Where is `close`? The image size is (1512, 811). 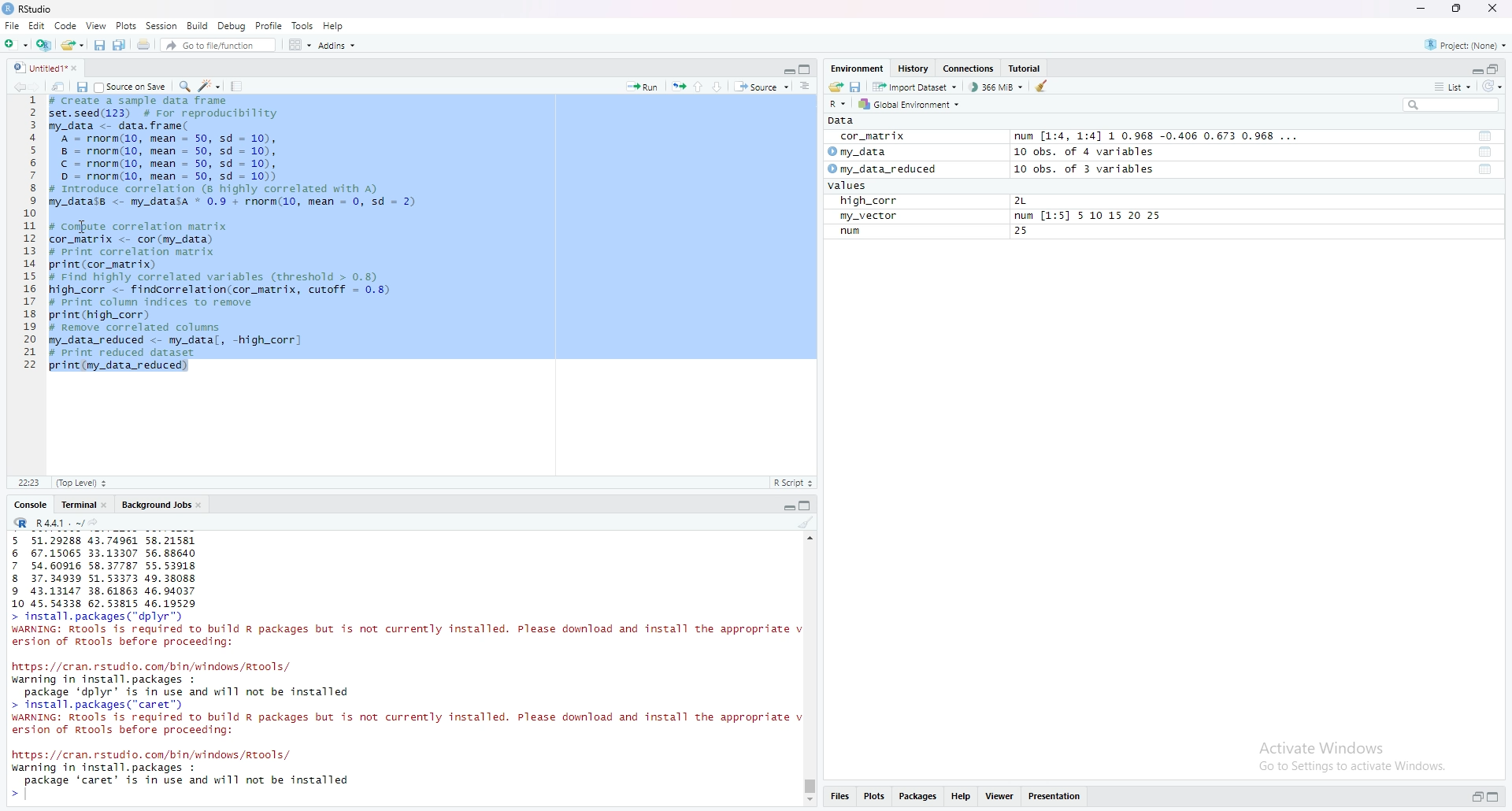 close is located at coordinates (201, 505).